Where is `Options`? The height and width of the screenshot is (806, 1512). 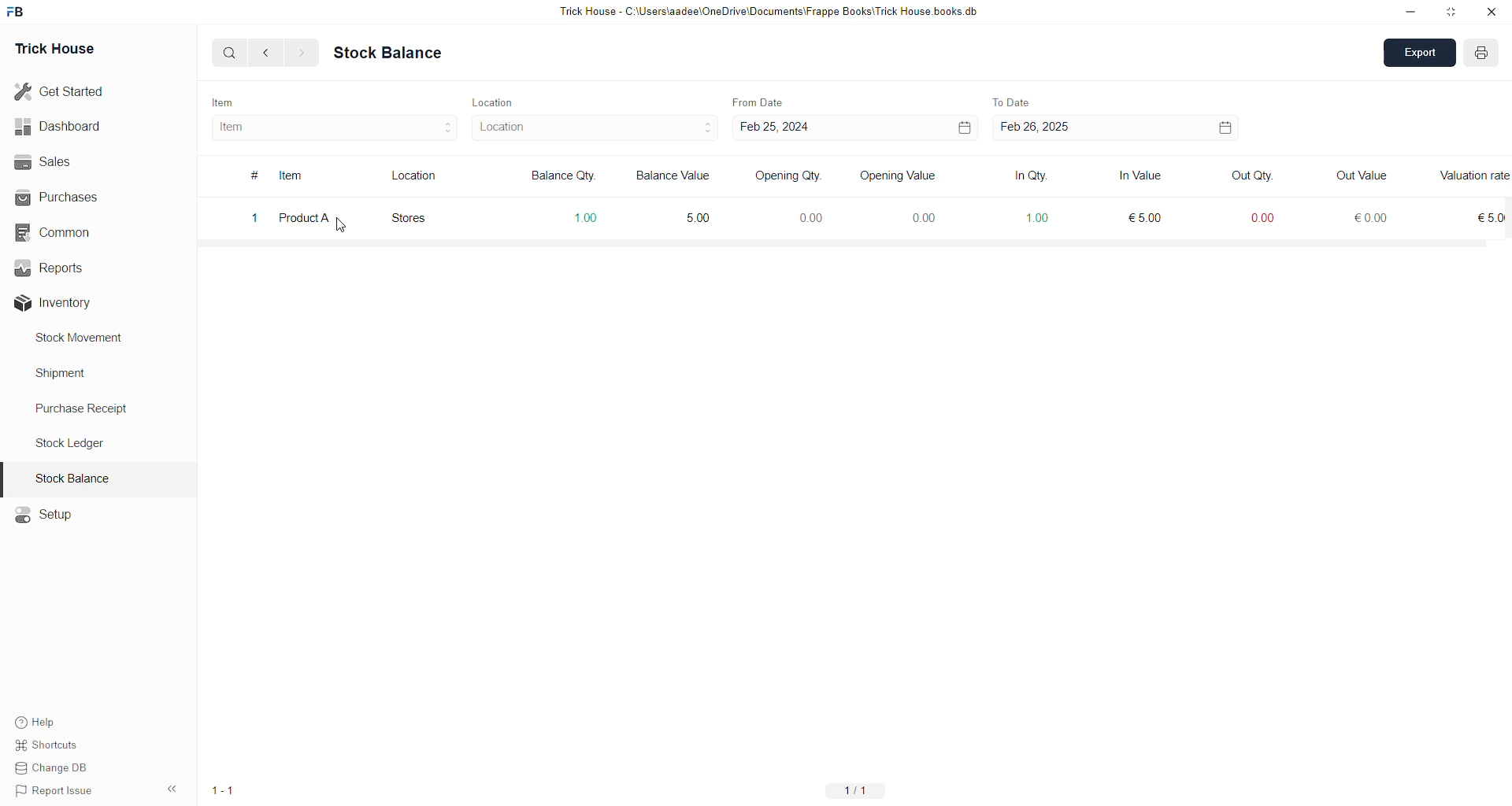
Options is located at coordinates (175, 788).